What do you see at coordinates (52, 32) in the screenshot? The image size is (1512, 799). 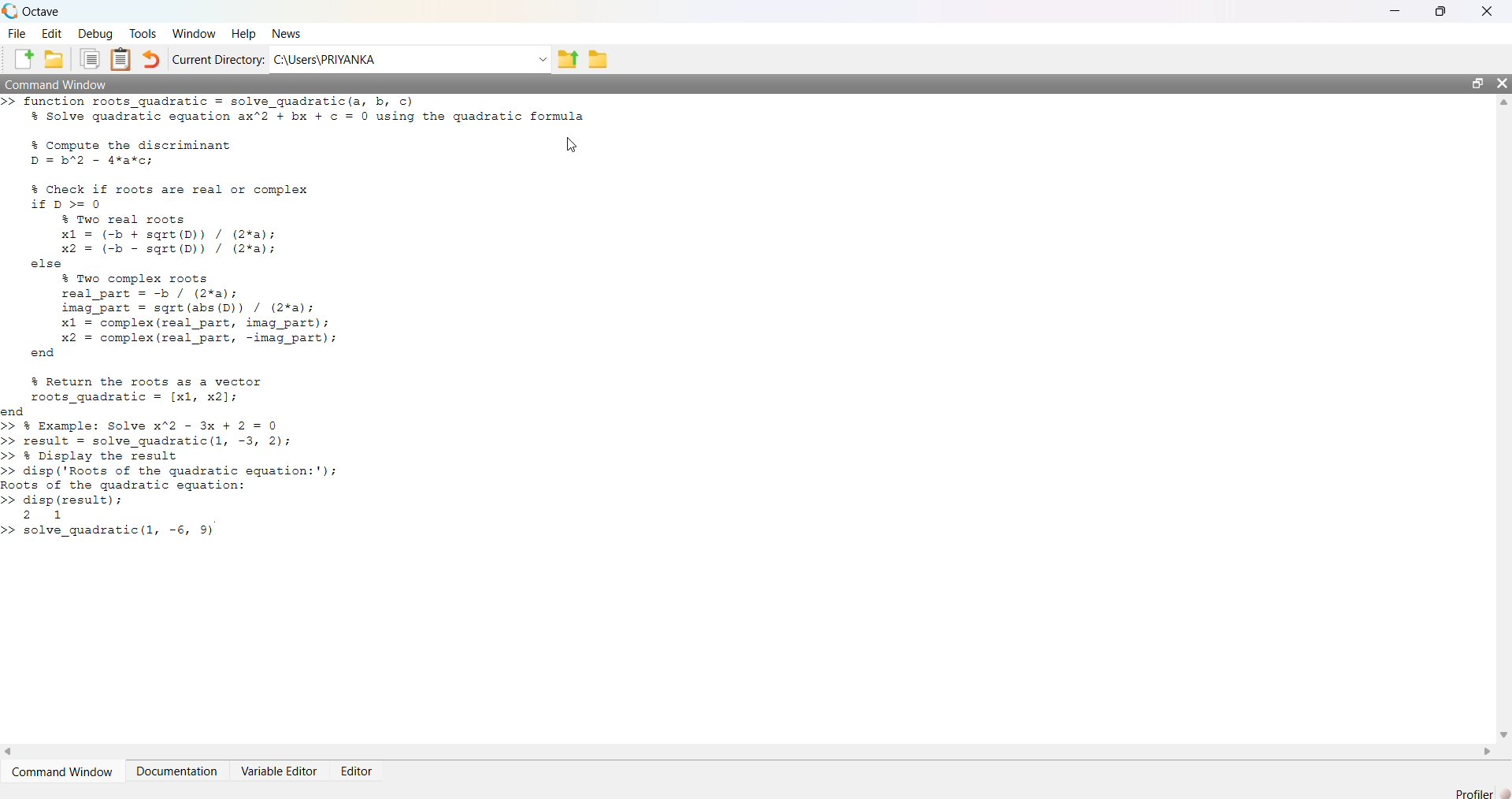 I see `Edit` at bounding box center [52, 32].